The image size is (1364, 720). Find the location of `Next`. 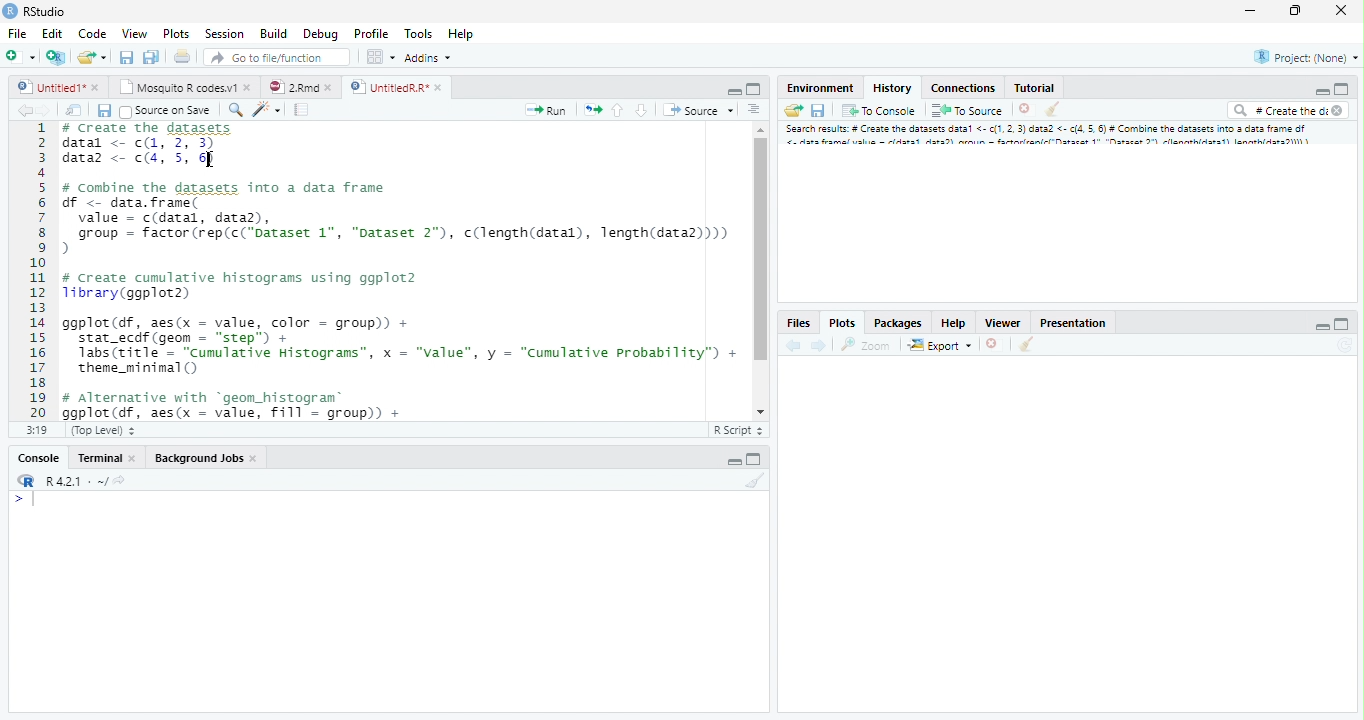

Next is located at coordinates (43, 114).